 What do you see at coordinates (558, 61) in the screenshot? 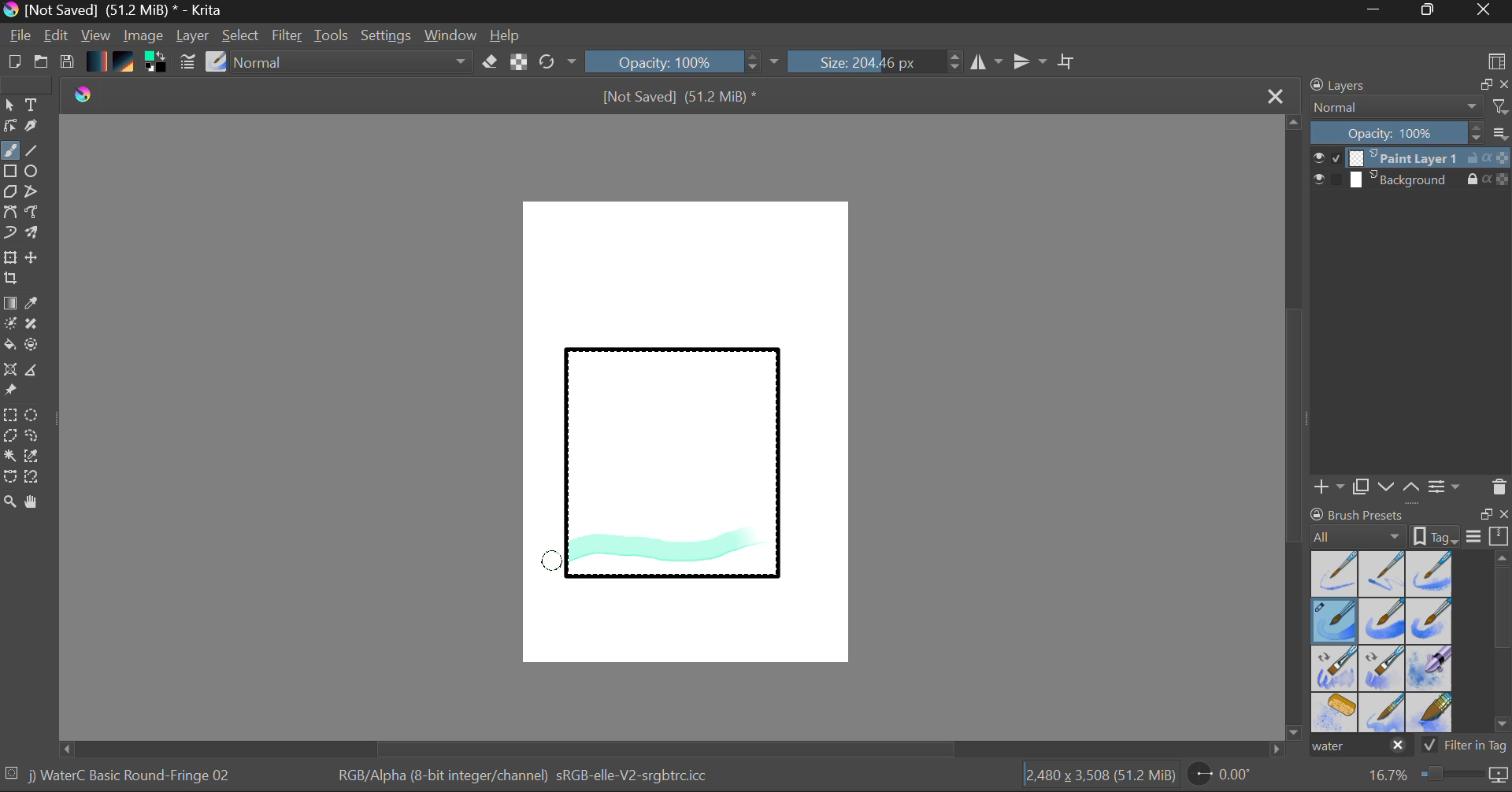
I see `Refresh` at bounding box center [558, 61].